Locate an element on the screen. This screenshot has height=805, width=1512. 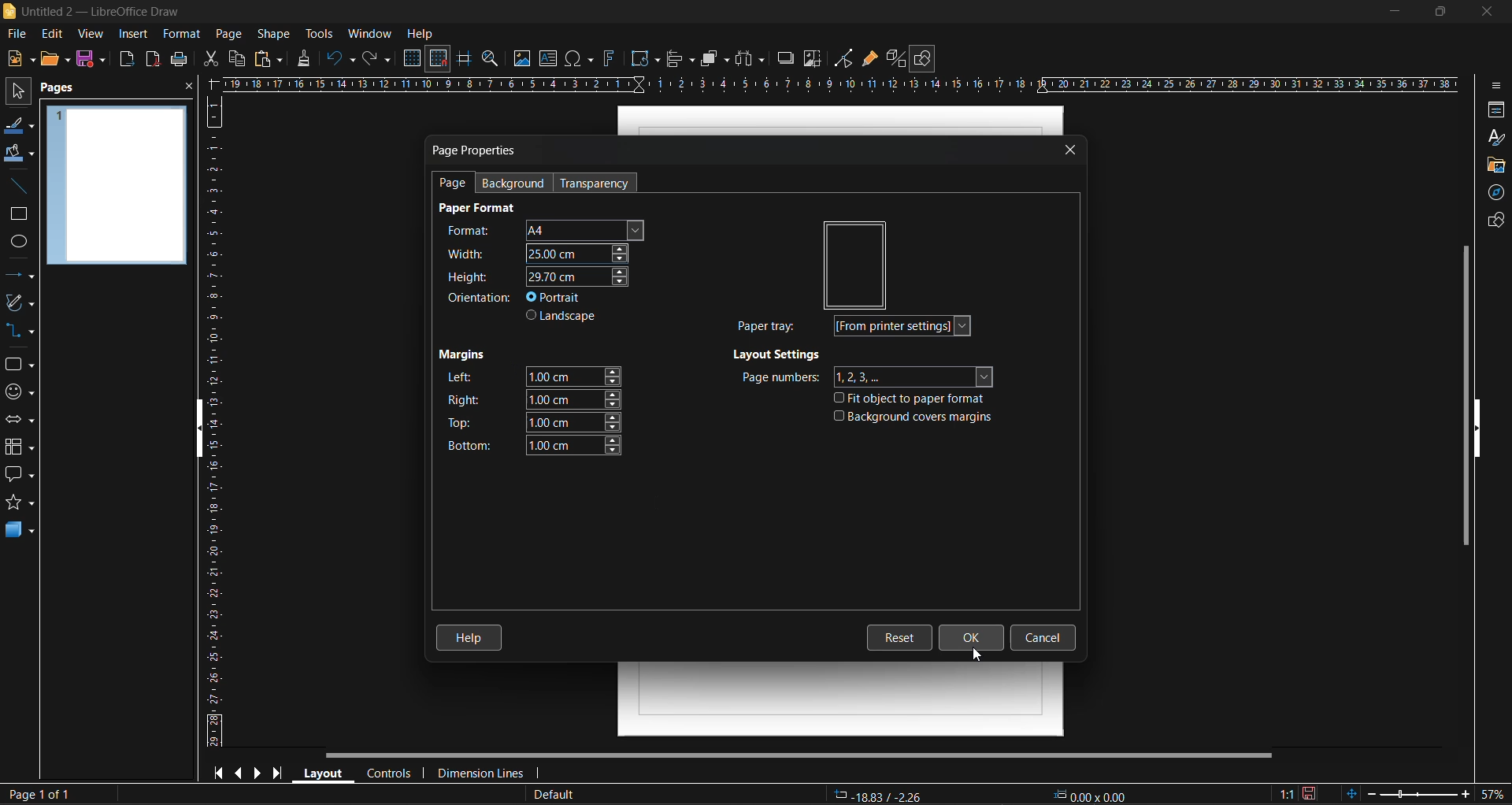
vertical ruler is located at coordinates (213, 425).